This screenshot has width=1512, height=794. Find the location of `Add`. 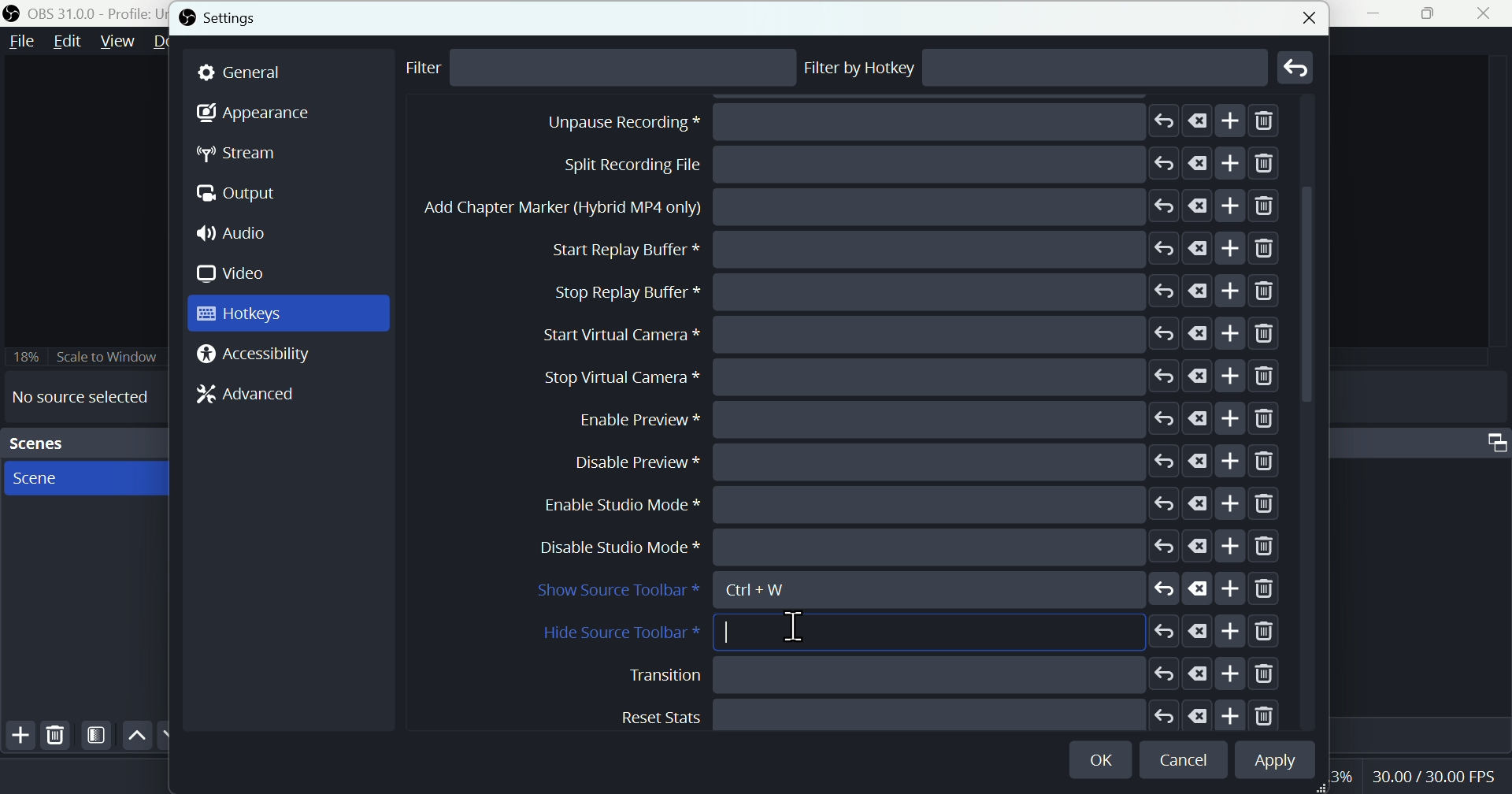

Add is located at coordinates (17, 738).